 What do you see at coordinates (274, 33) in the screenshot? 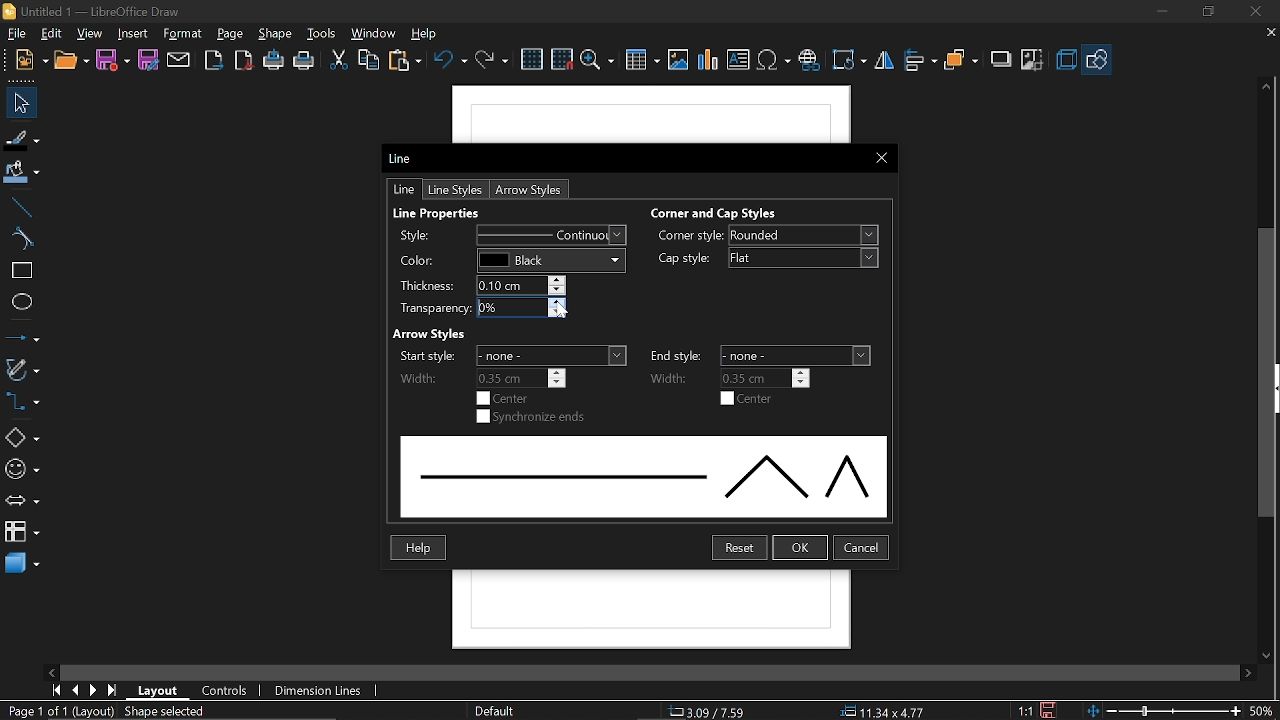
I see `shape` at bounding box center [274, 33].